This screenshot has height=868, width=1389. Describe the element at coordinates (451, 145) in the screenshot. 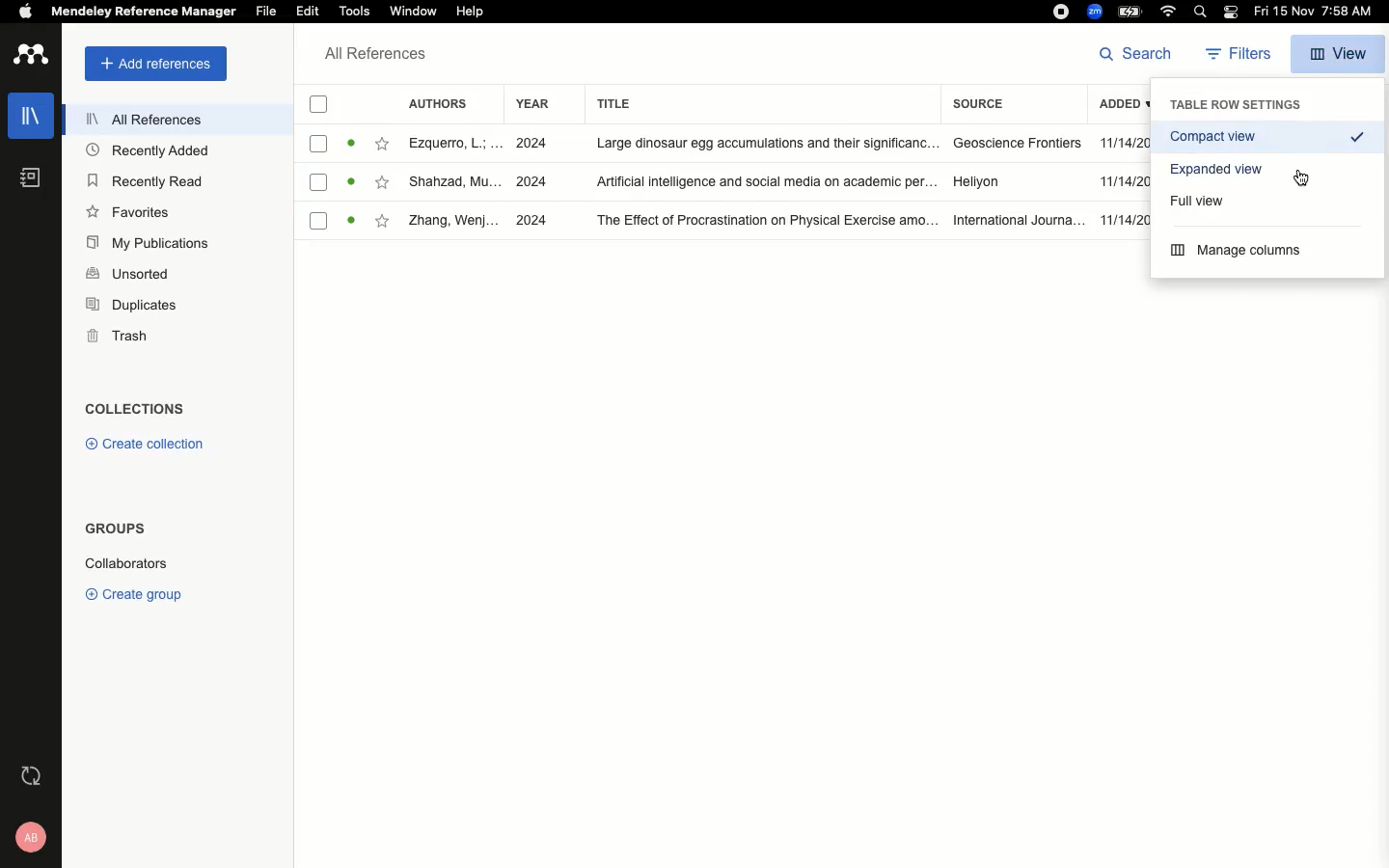

I see `Ezquerro` at that location.